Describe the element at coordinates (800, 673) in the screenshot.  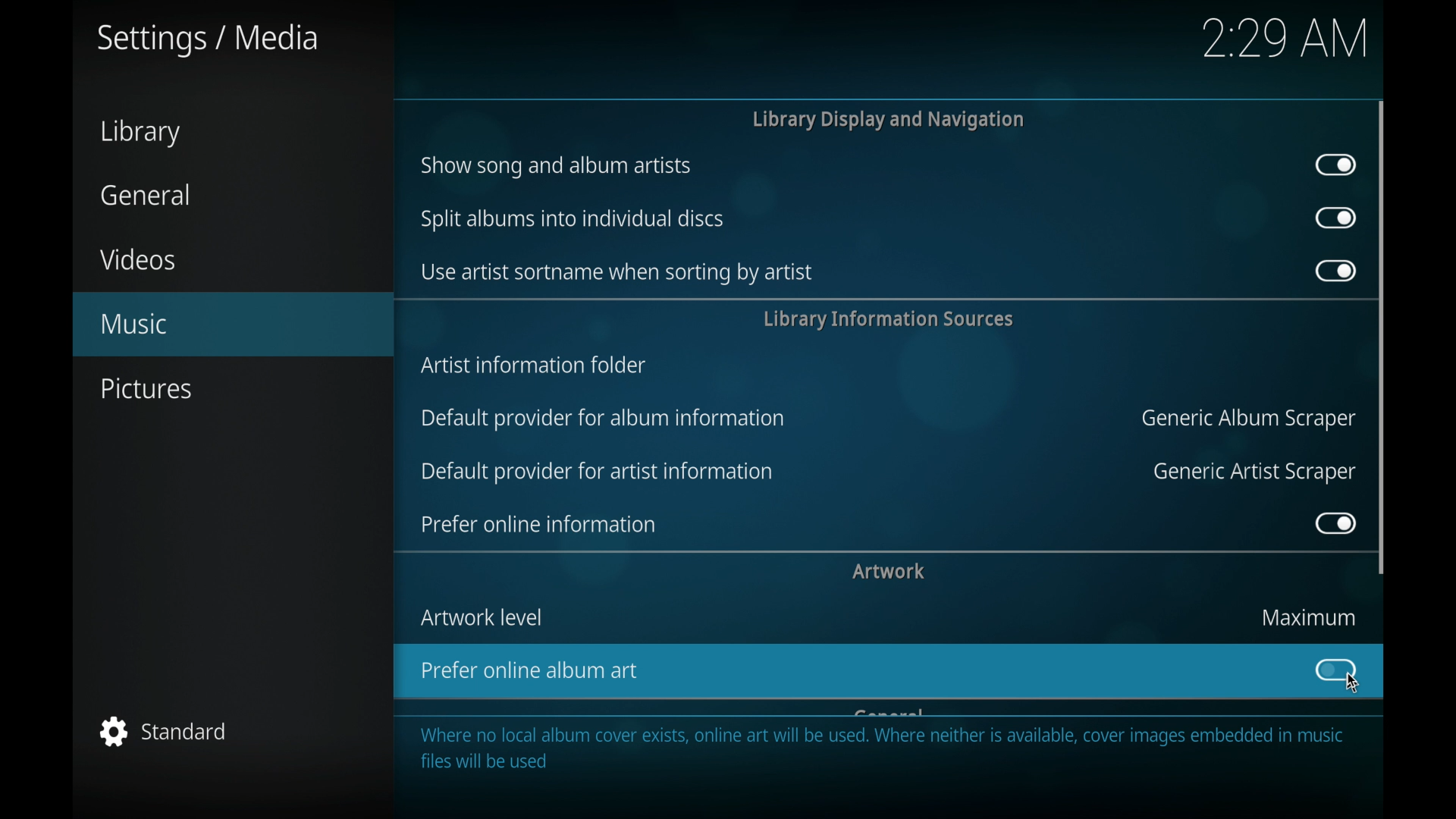
I see `prefer online album art` at that location.